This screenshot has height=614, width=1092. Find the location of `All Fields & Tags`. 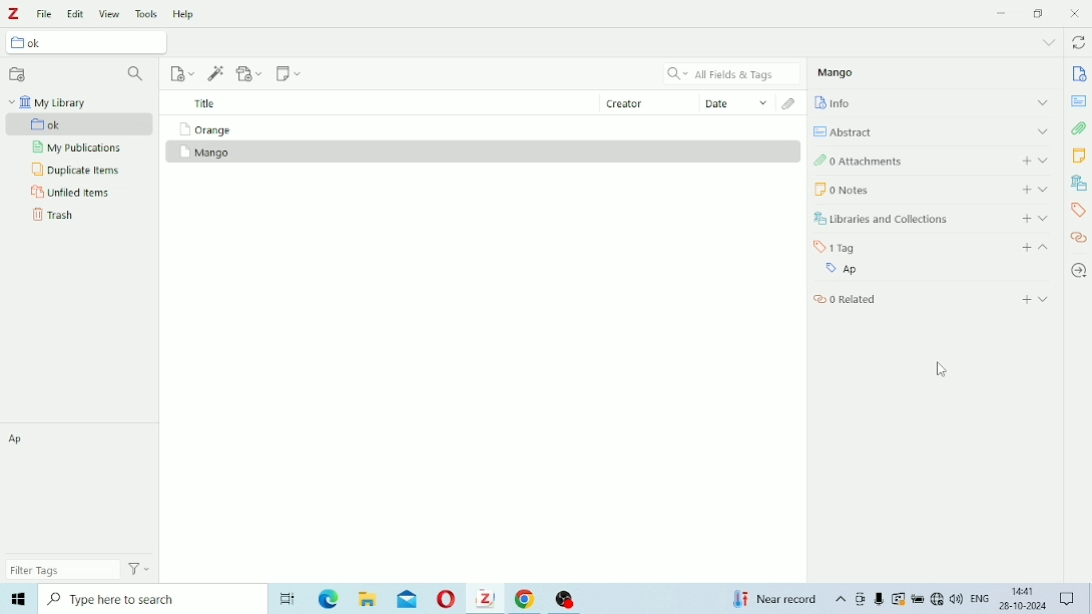

All Fields & Tags is located at coordinates (734, 74).